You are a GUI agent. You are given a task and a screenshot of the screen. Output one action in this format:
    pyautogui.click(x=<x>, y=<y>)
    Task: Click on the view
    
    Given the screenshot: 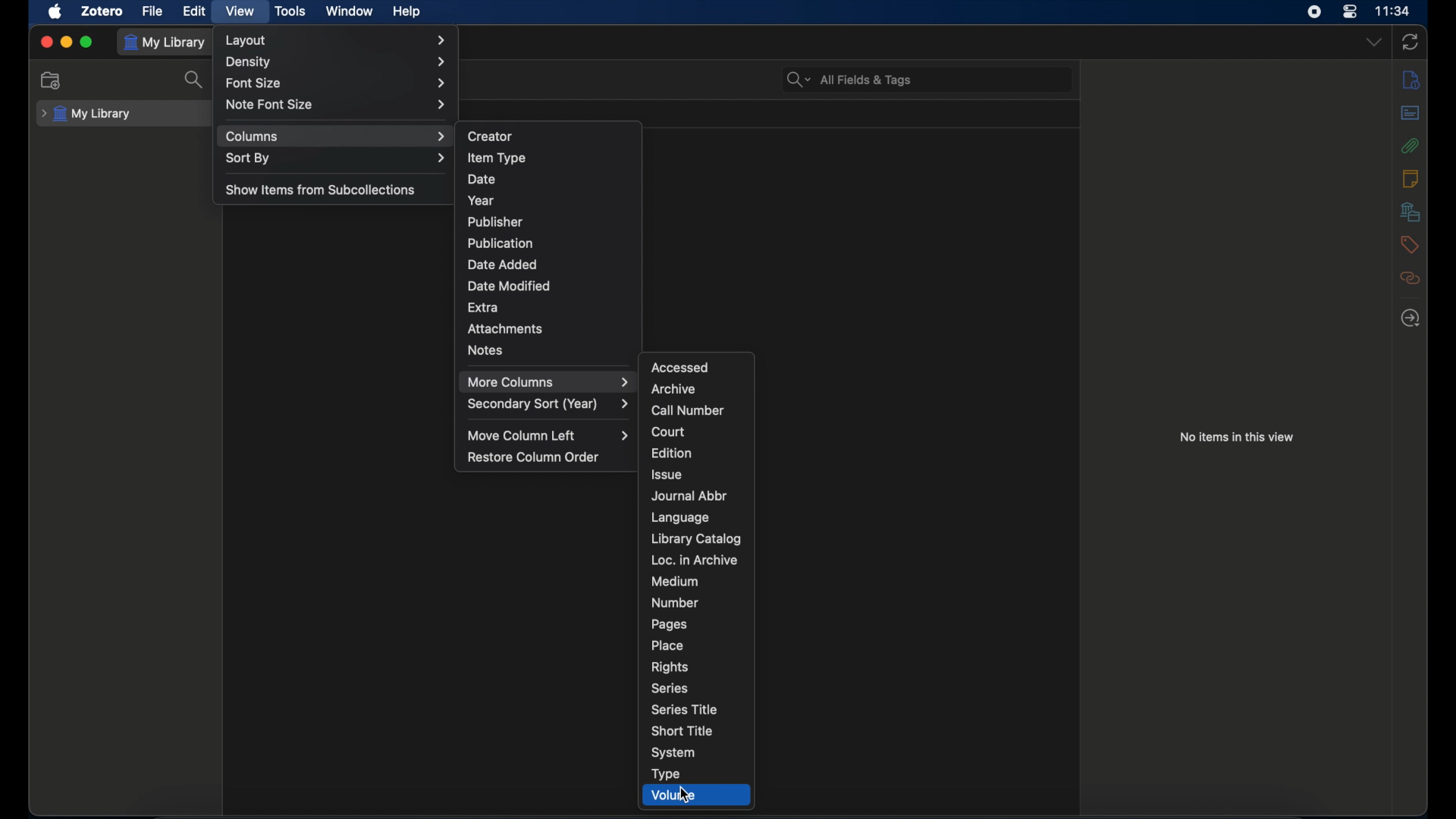 What is the action you would take?
    pyautogui.click(x=240, y=11)
    